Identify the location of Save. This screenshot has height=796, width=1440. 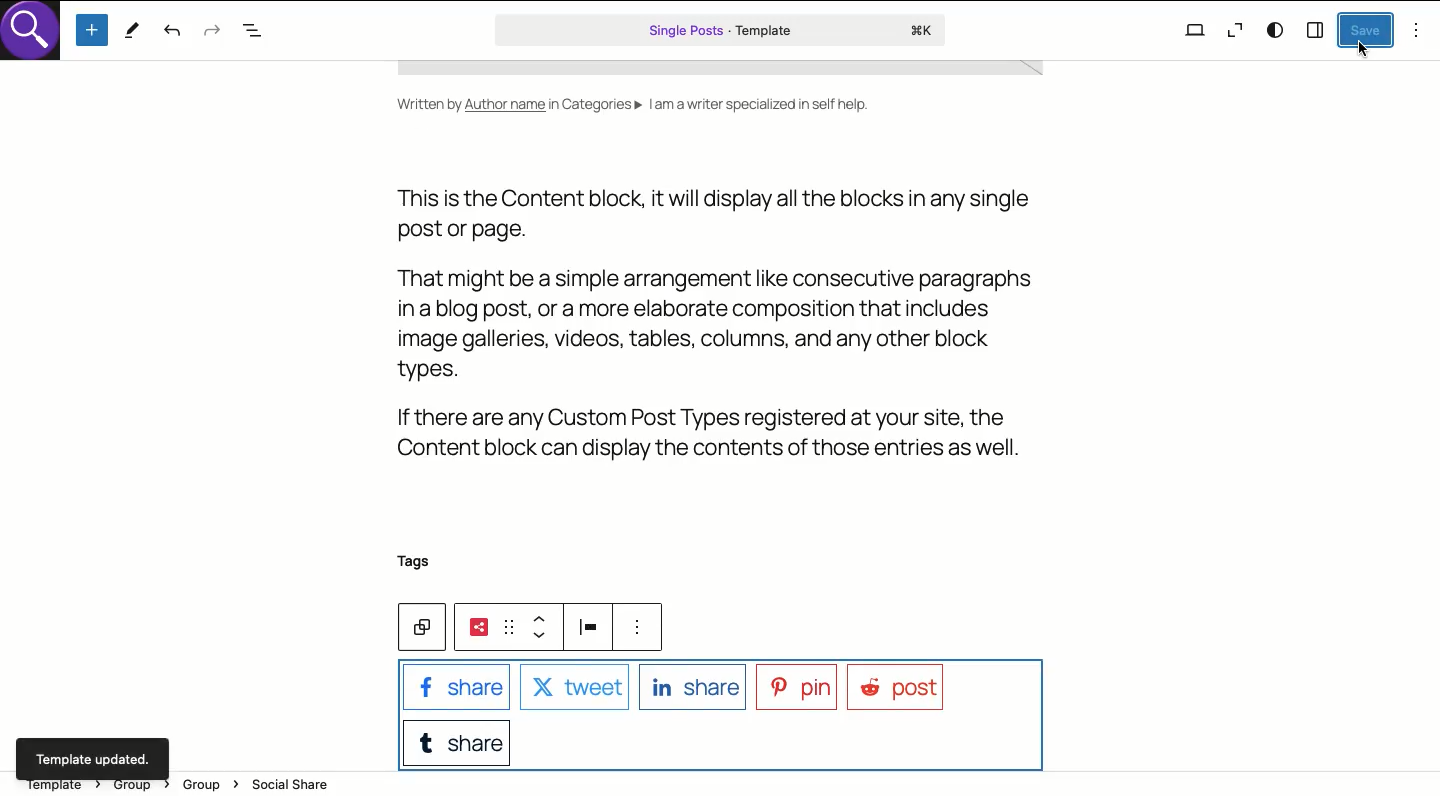
(1366, 30).